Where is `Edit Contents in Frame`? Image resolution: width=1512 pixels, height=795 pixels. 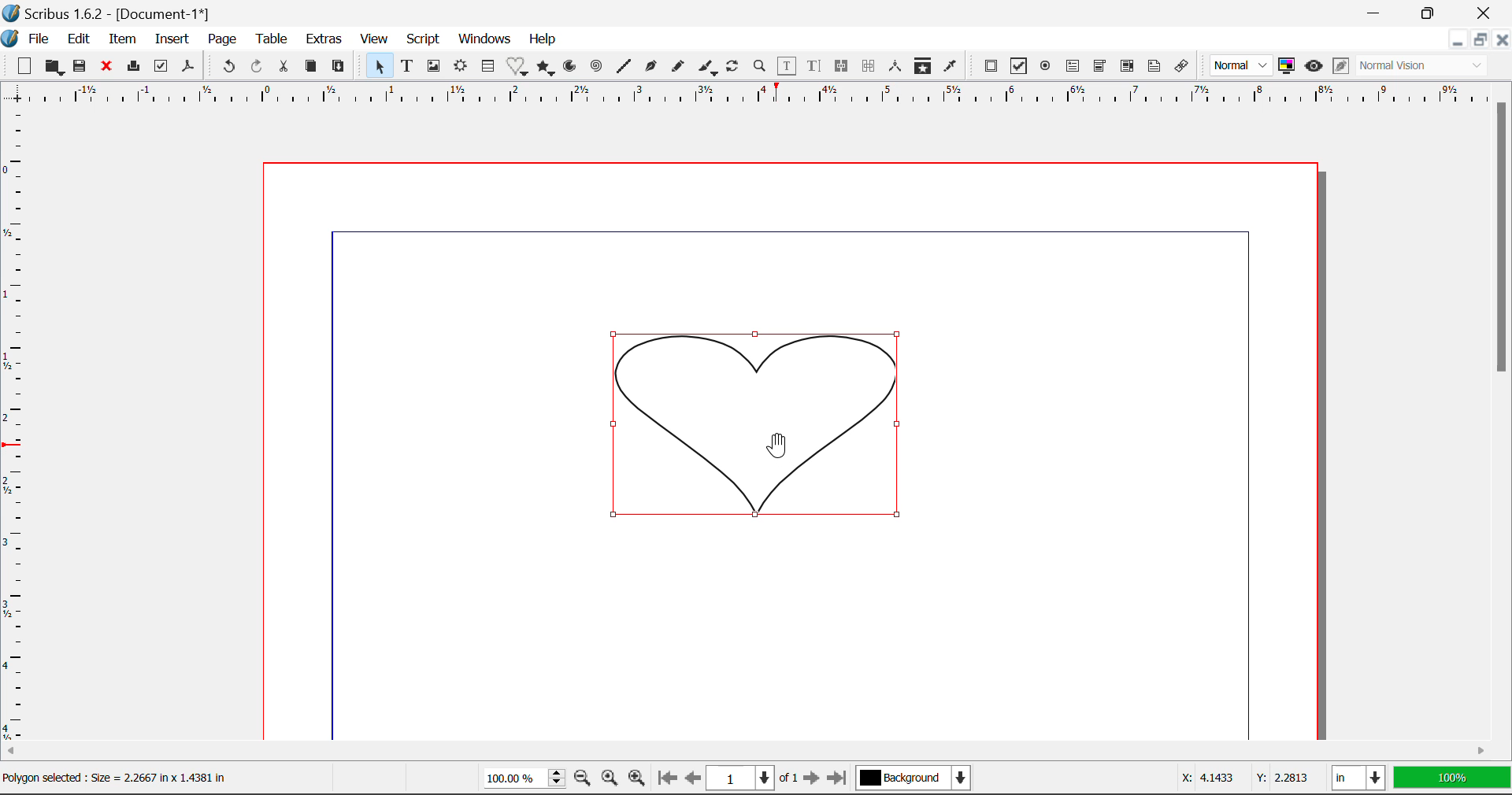 Edit Contents in Frame is located at coordinates (788, 66).